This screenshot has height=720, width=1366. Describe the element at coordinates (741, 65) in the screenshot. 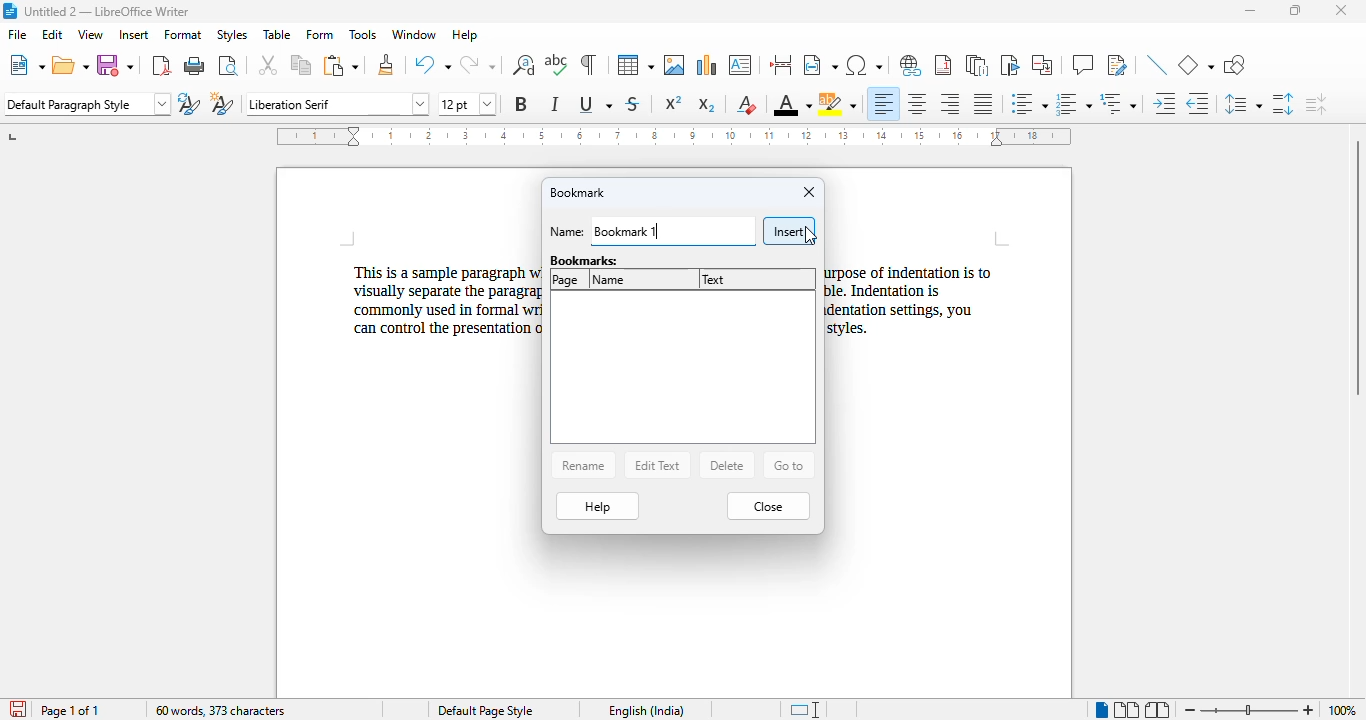

I see `insert text box` at that location.